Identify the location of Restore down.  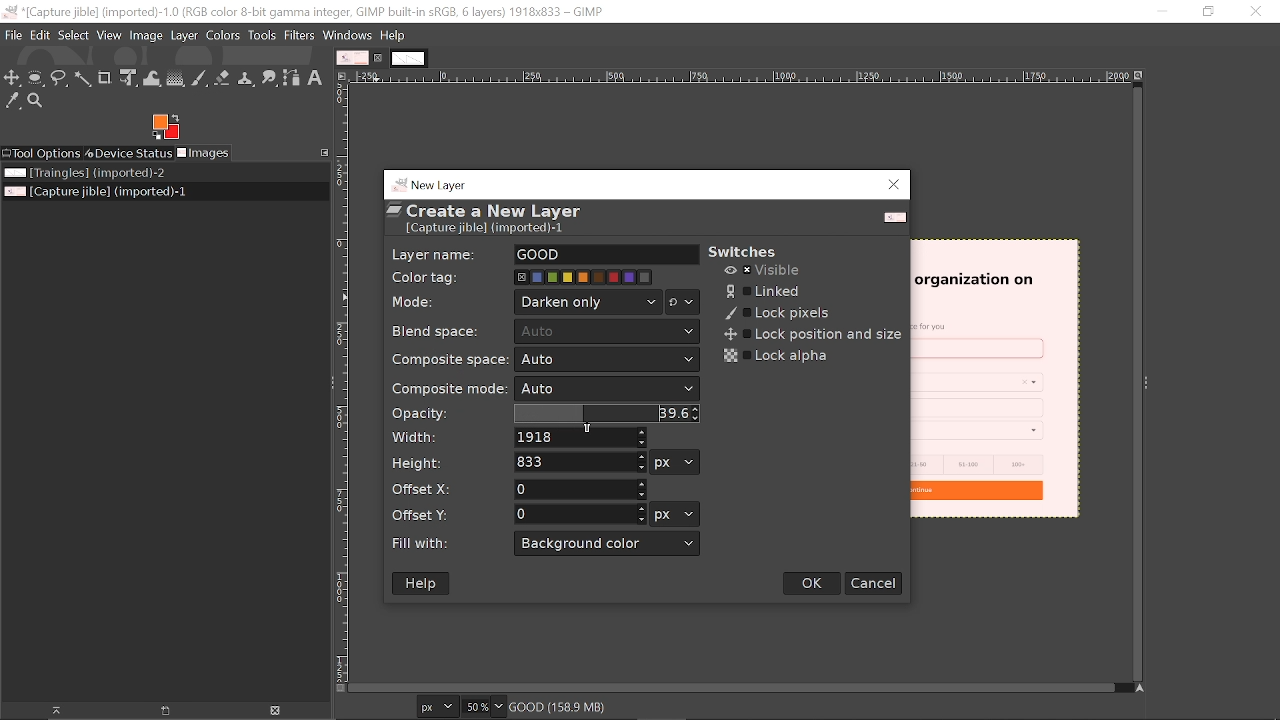
(1209, 12).